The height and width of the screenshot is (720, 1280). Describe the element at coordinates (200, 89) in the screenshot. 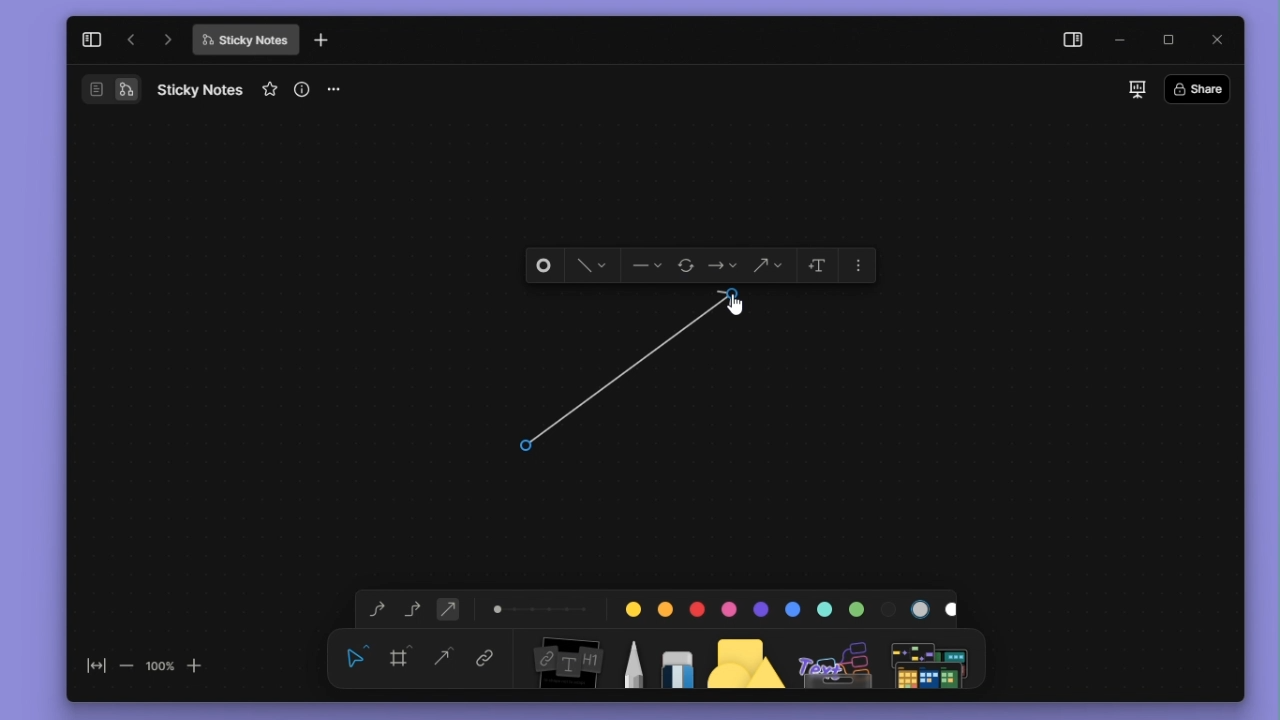

I see `file name` at that location.